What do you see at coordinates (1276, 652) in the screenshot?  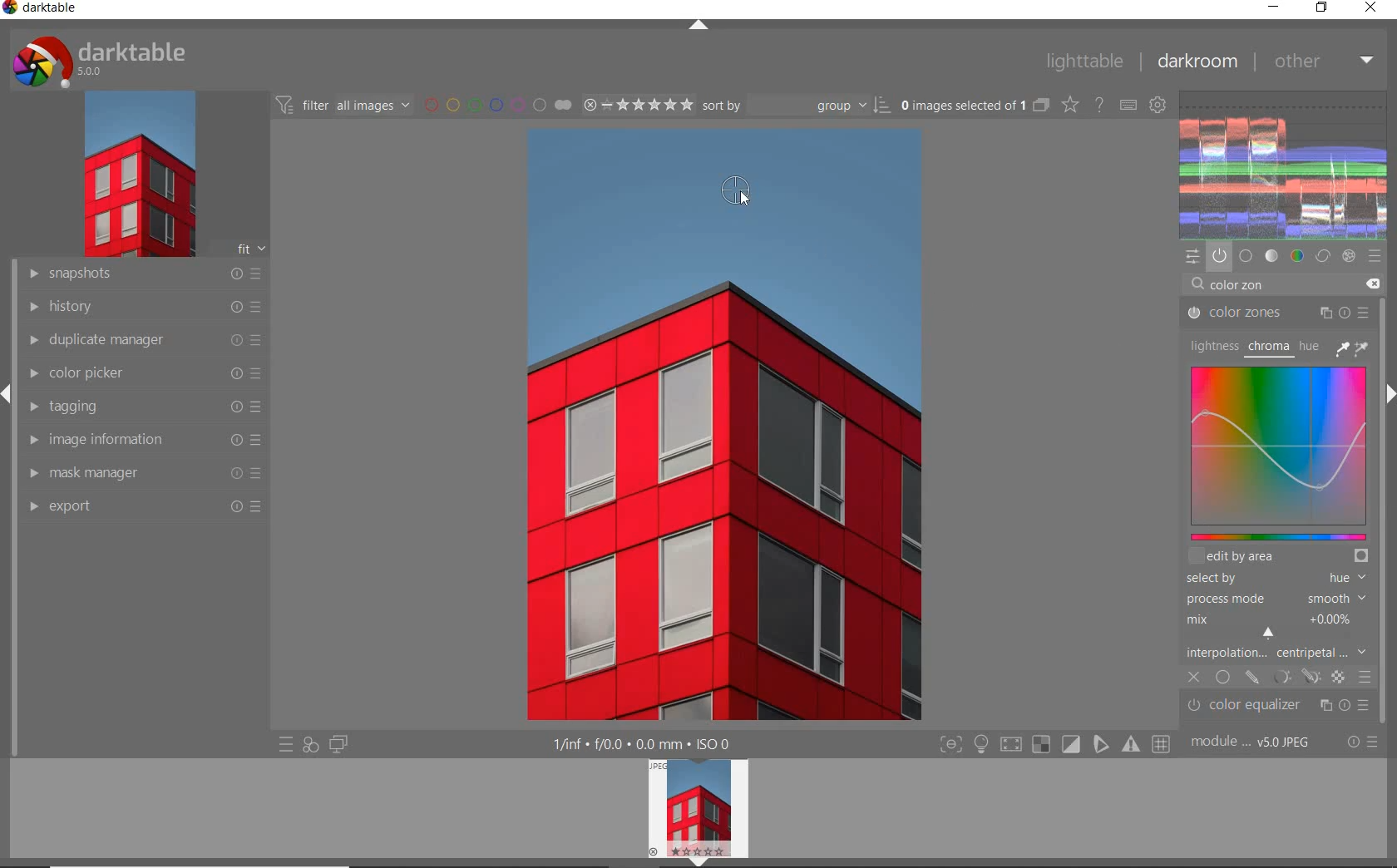 I see `INTERPOLATION` at bounding box center [1276, 652].